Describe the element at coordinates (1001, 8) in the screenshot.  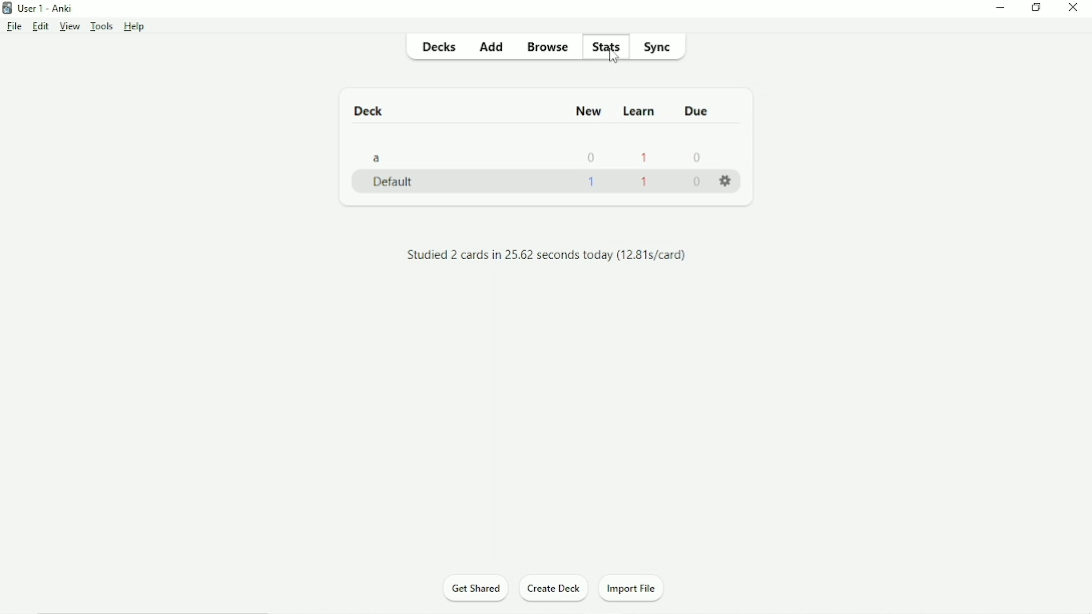
I see `Minimize` at that location.